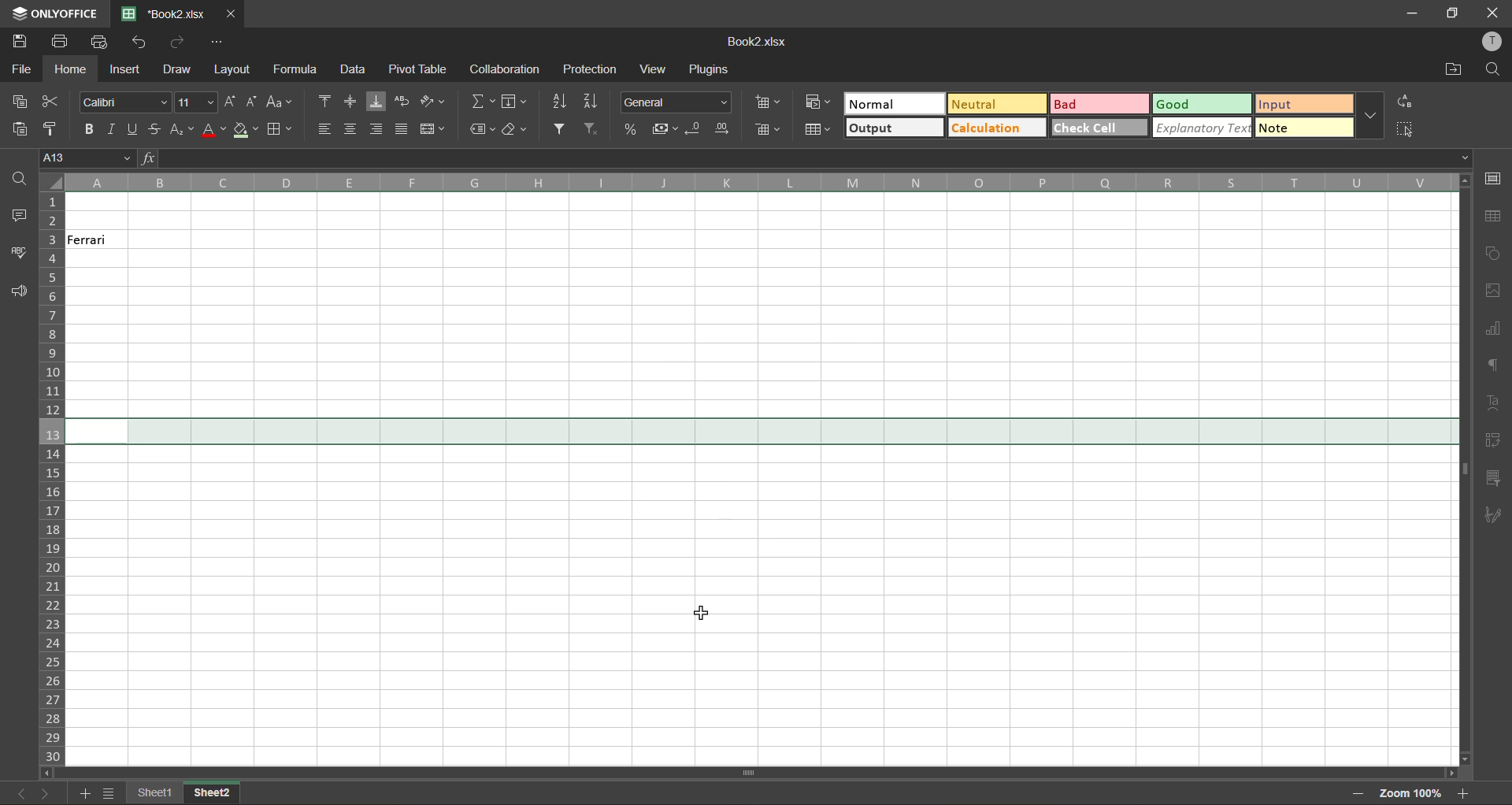 The width and height of the screenshot is (1512, 805). I want to click on minimize, so click(1410, 12).